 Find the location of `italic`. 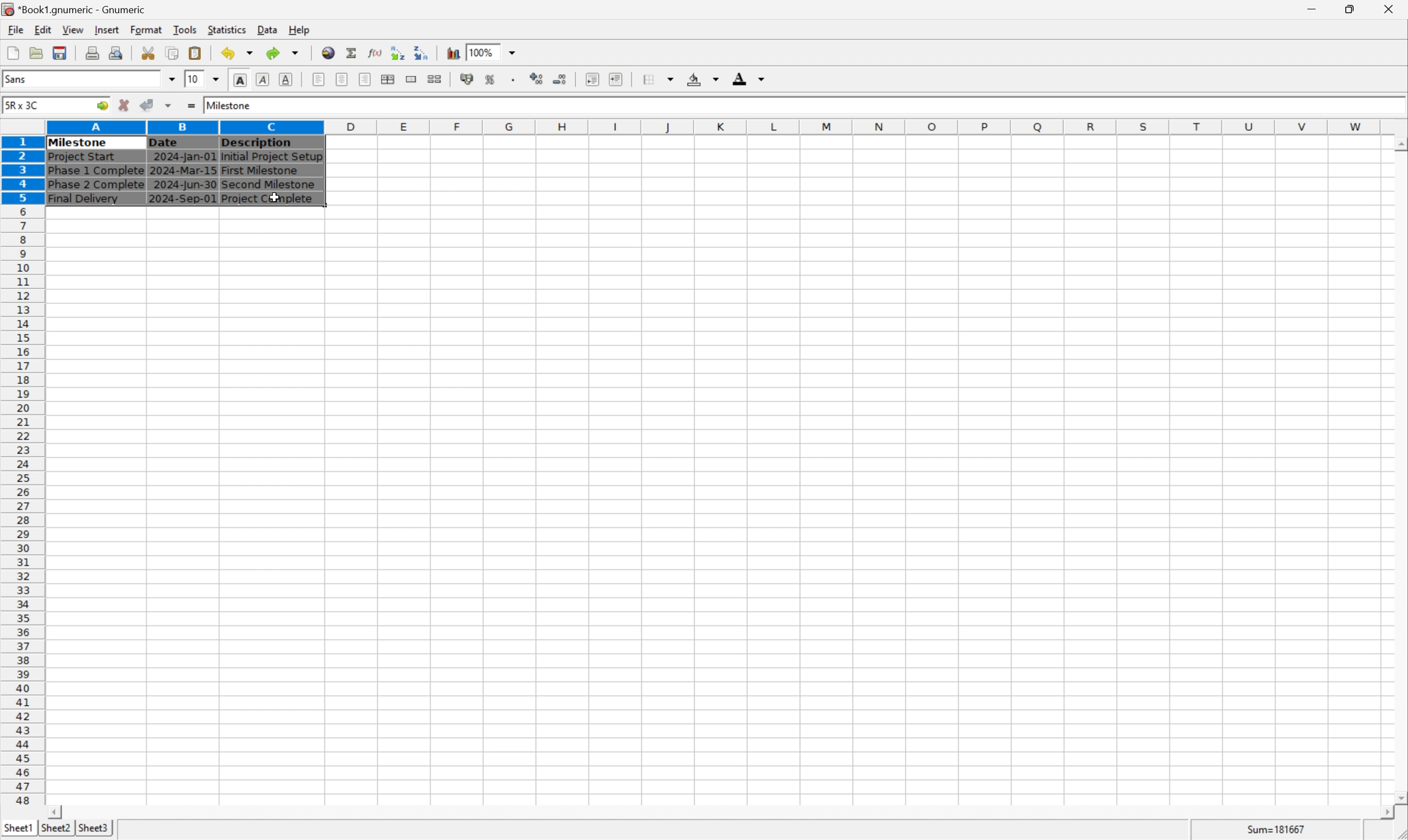

italic is located at coordinates (263, 79).